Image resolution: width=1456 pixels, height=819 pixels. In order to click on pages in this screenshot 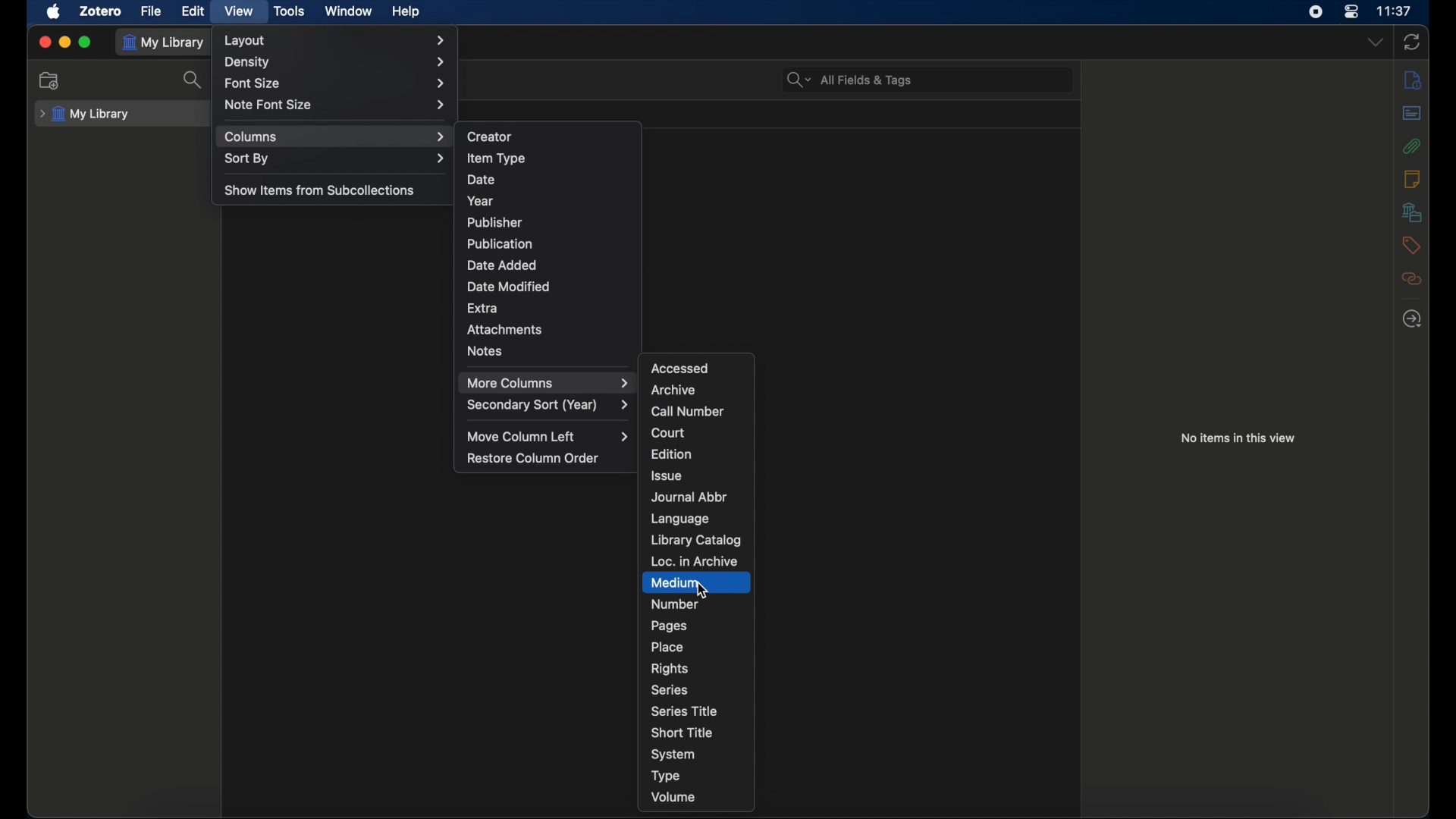, I will do `click(669, 626)`.